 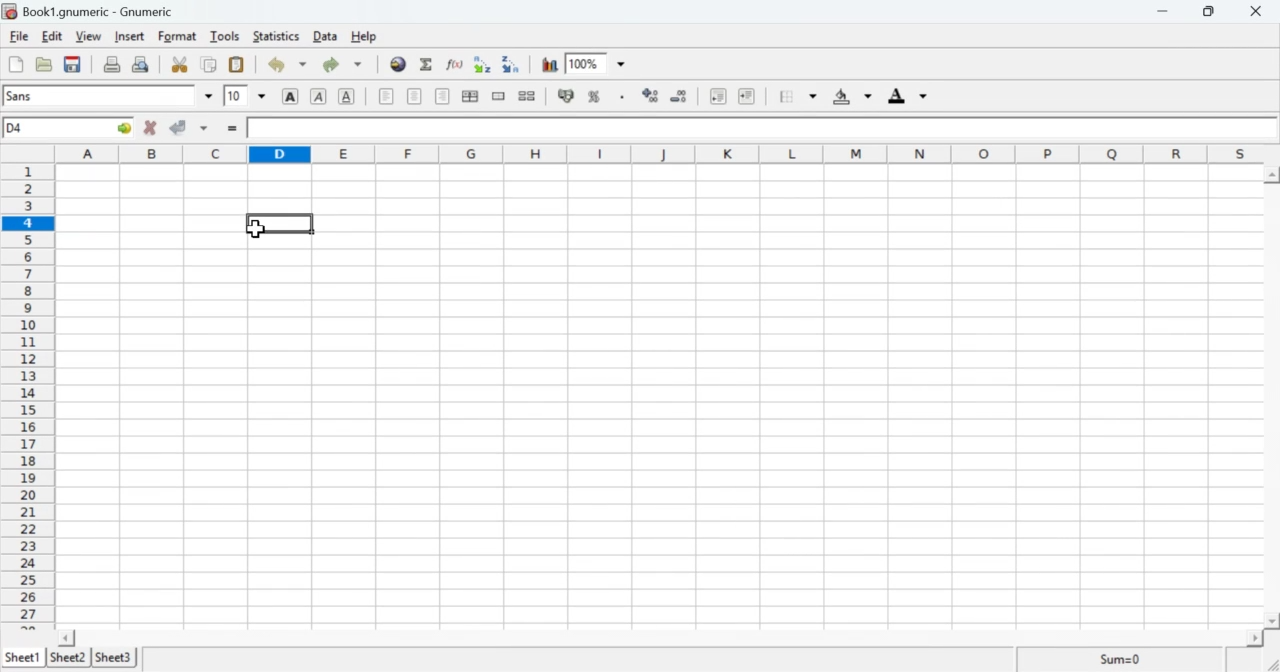 I want to click on Format selection as percentage, so click(x=594, y=99).